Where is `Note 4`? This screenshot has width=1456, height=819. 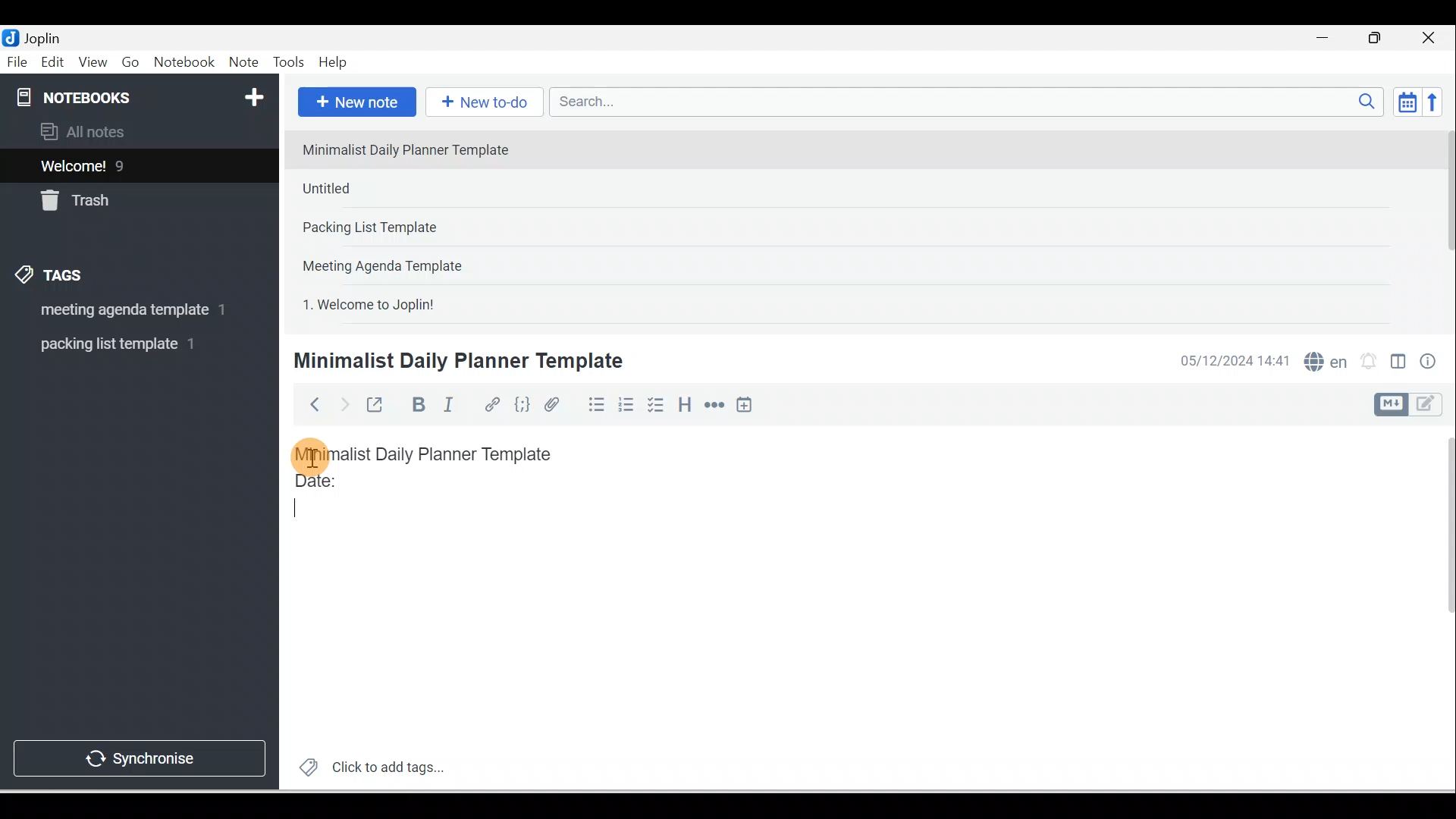 Note 4 is located at coordinates (403, 262).